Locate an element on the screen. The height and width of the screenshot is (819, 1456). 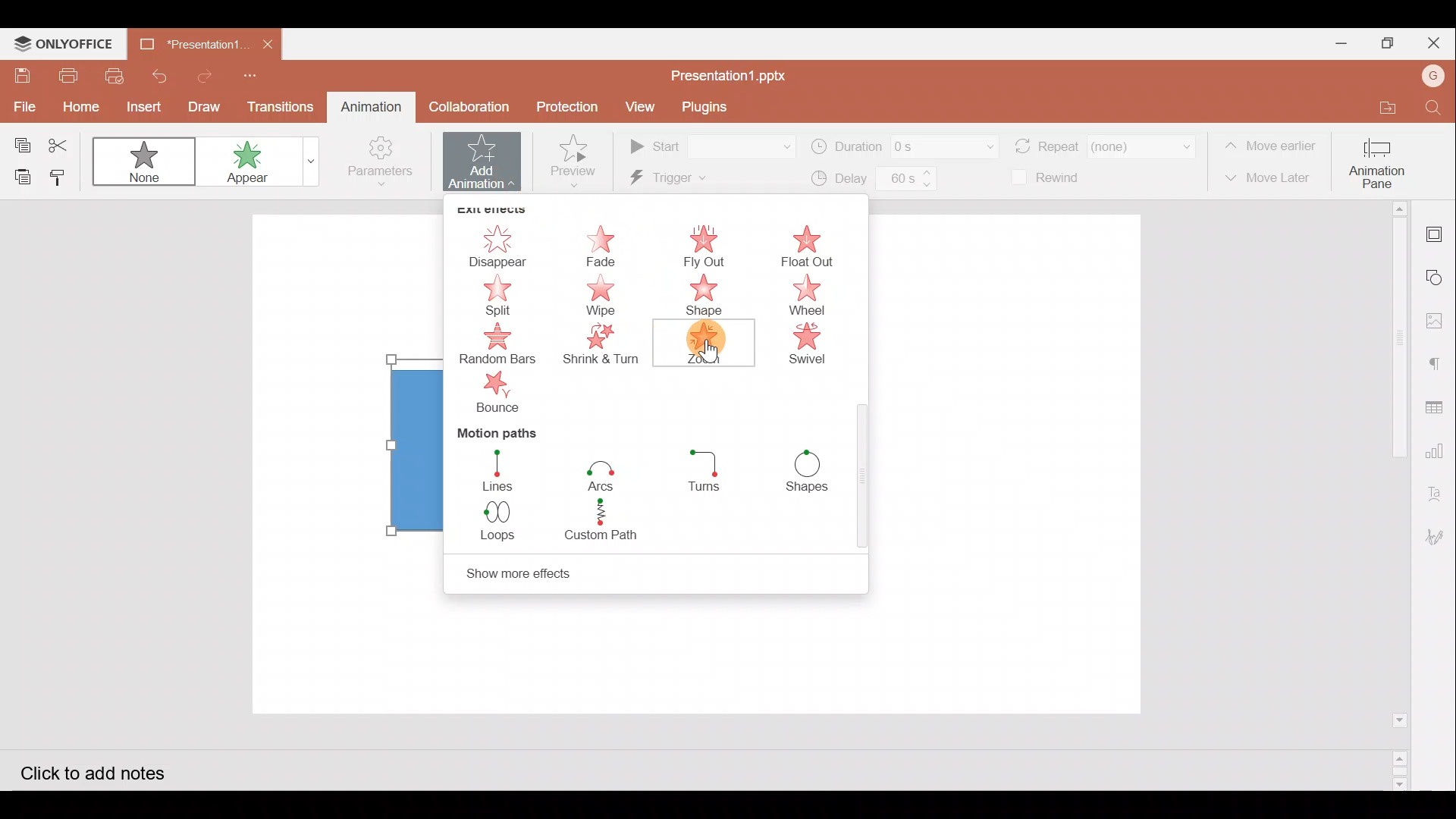
Arcs is located at coordinates (601, 471).